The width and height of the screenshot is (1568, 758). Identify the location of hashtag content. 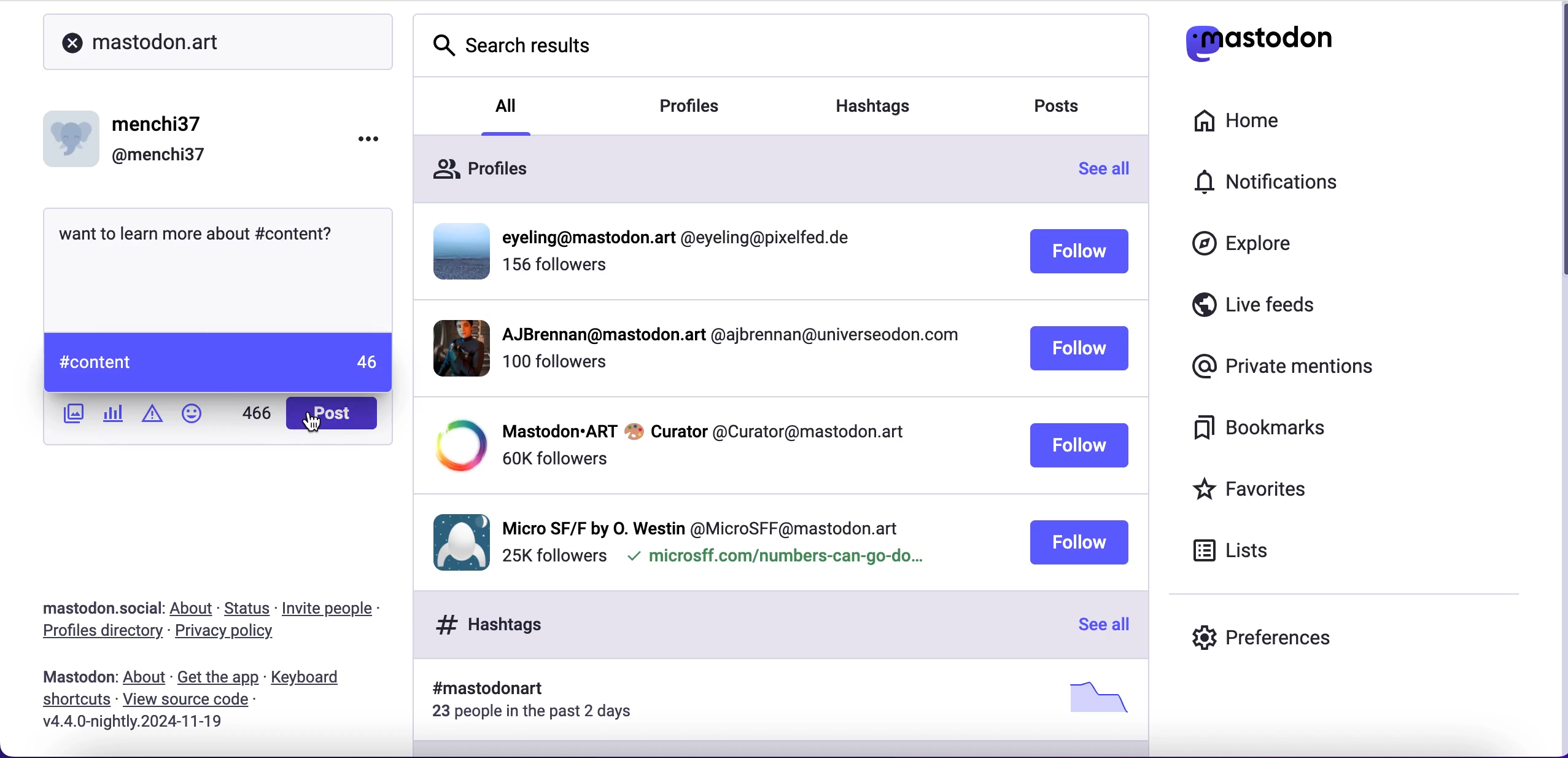
(94, 366).